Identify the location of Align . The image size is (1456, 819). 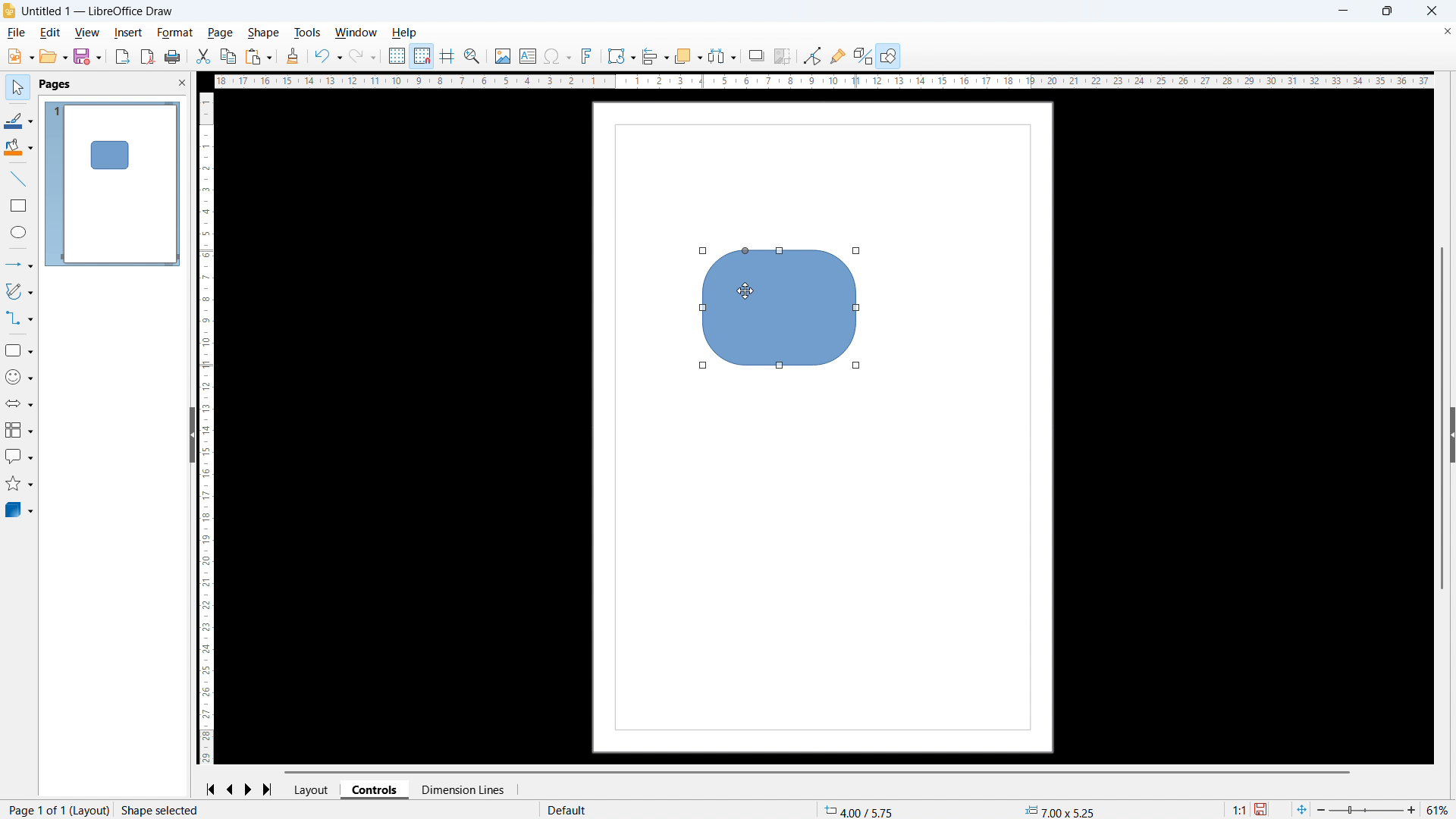
(655, 57).